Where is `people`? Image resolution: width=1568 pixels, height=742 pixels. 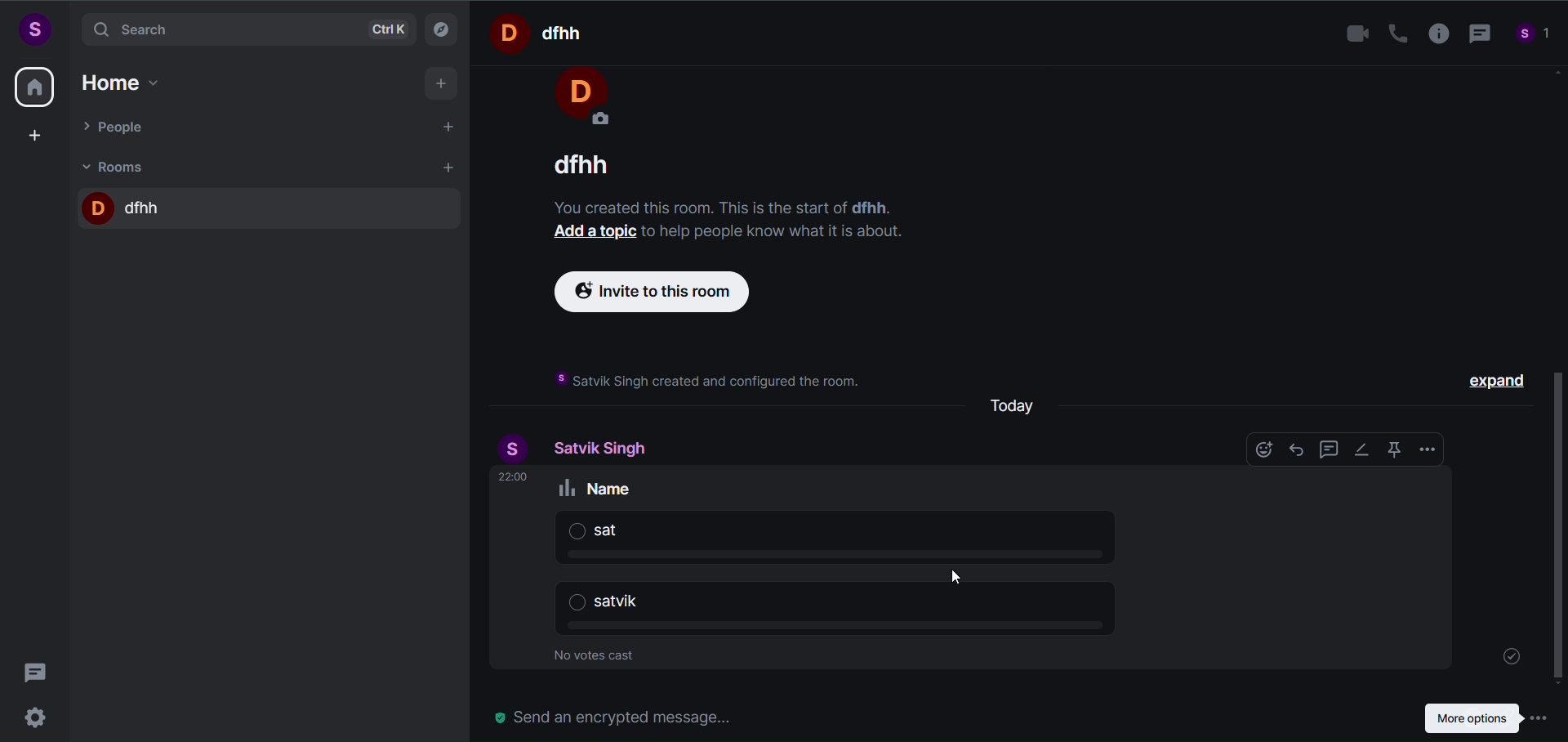
people is located at coordinates (117, 126).